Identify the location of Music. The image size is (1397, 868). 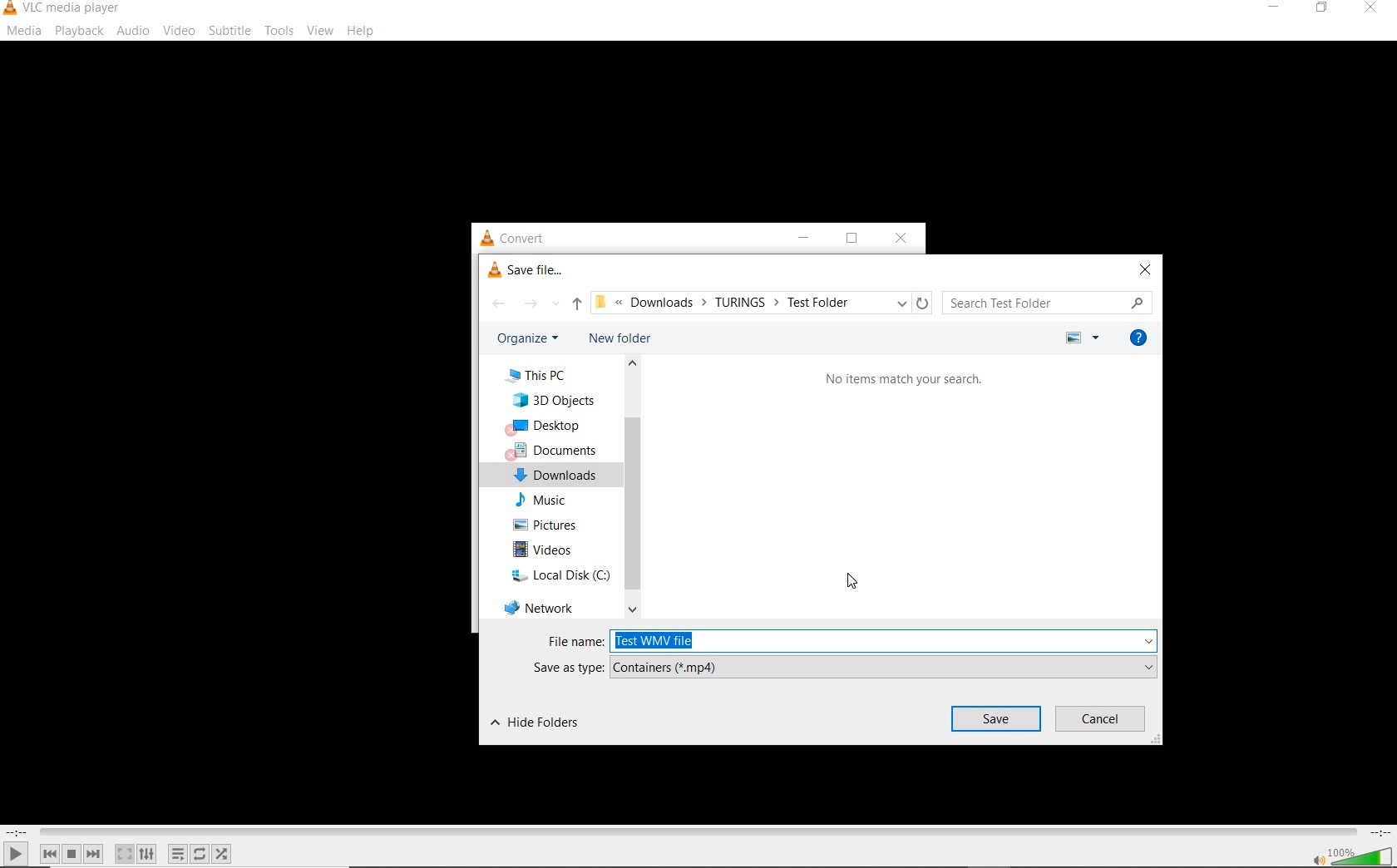
(547, 501).